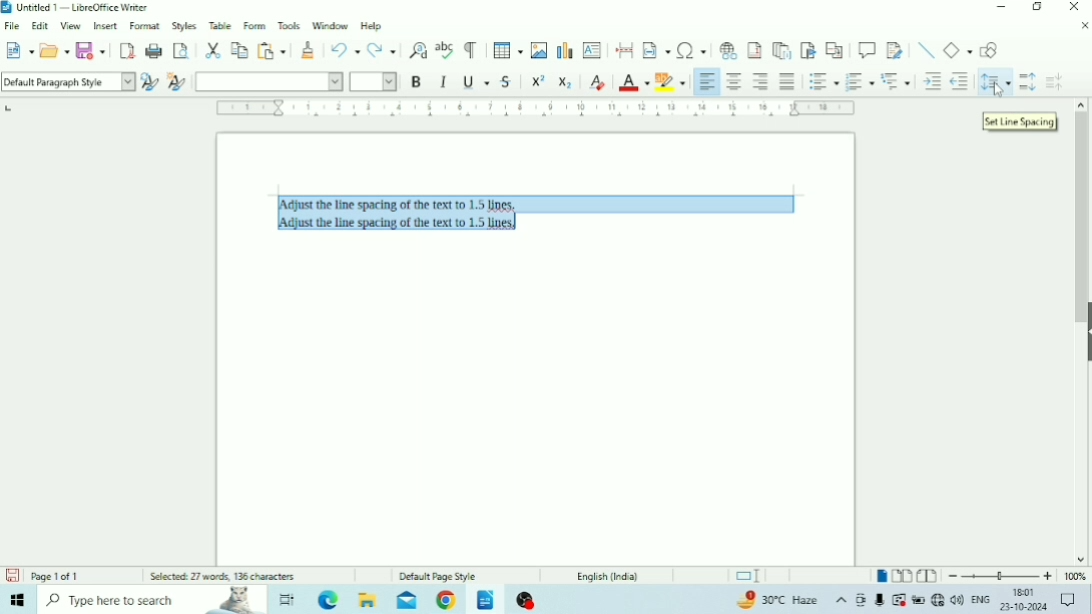  What do you see at coordinates (331, 24) in the screenshot?
I see `Window` at bounding box center [331, 24].